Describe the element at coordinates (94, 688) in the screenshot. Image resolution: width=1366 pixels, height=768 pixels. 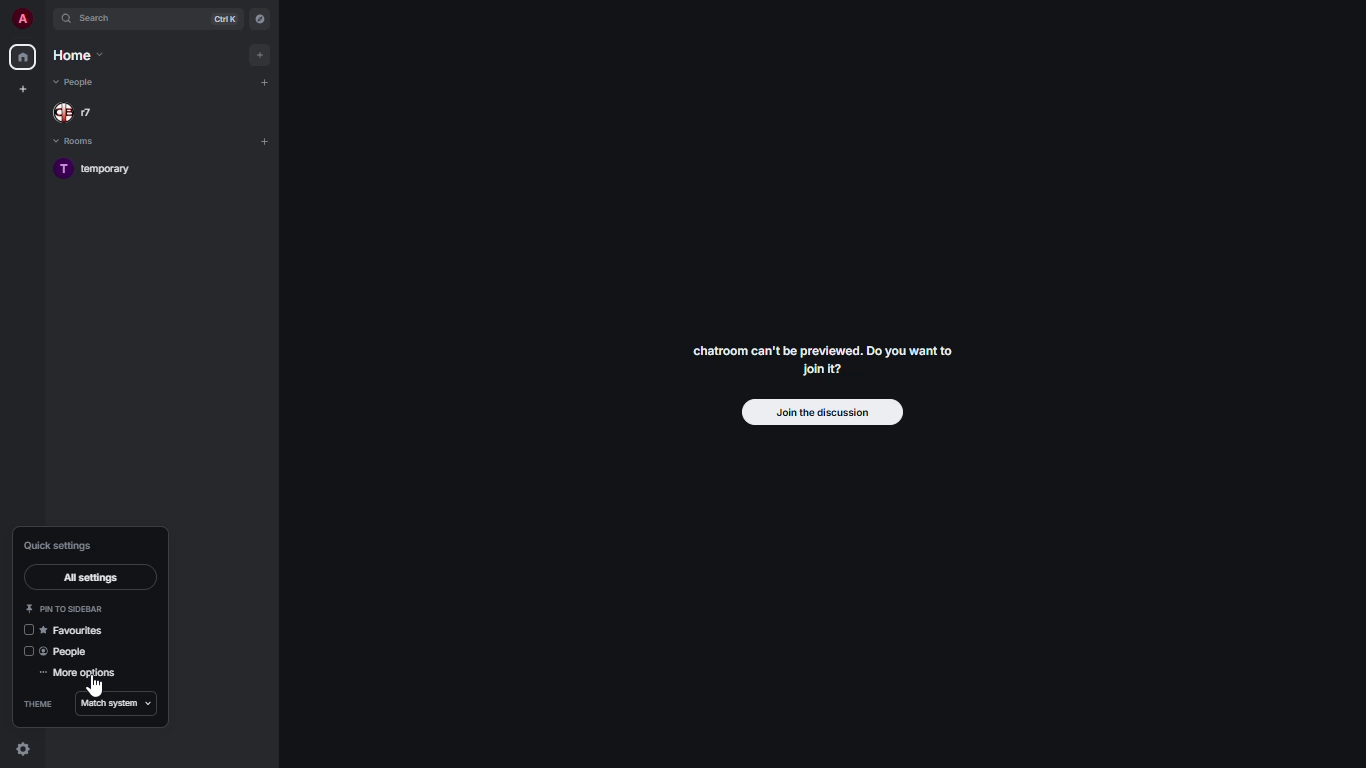
I see `cursor` at that location.